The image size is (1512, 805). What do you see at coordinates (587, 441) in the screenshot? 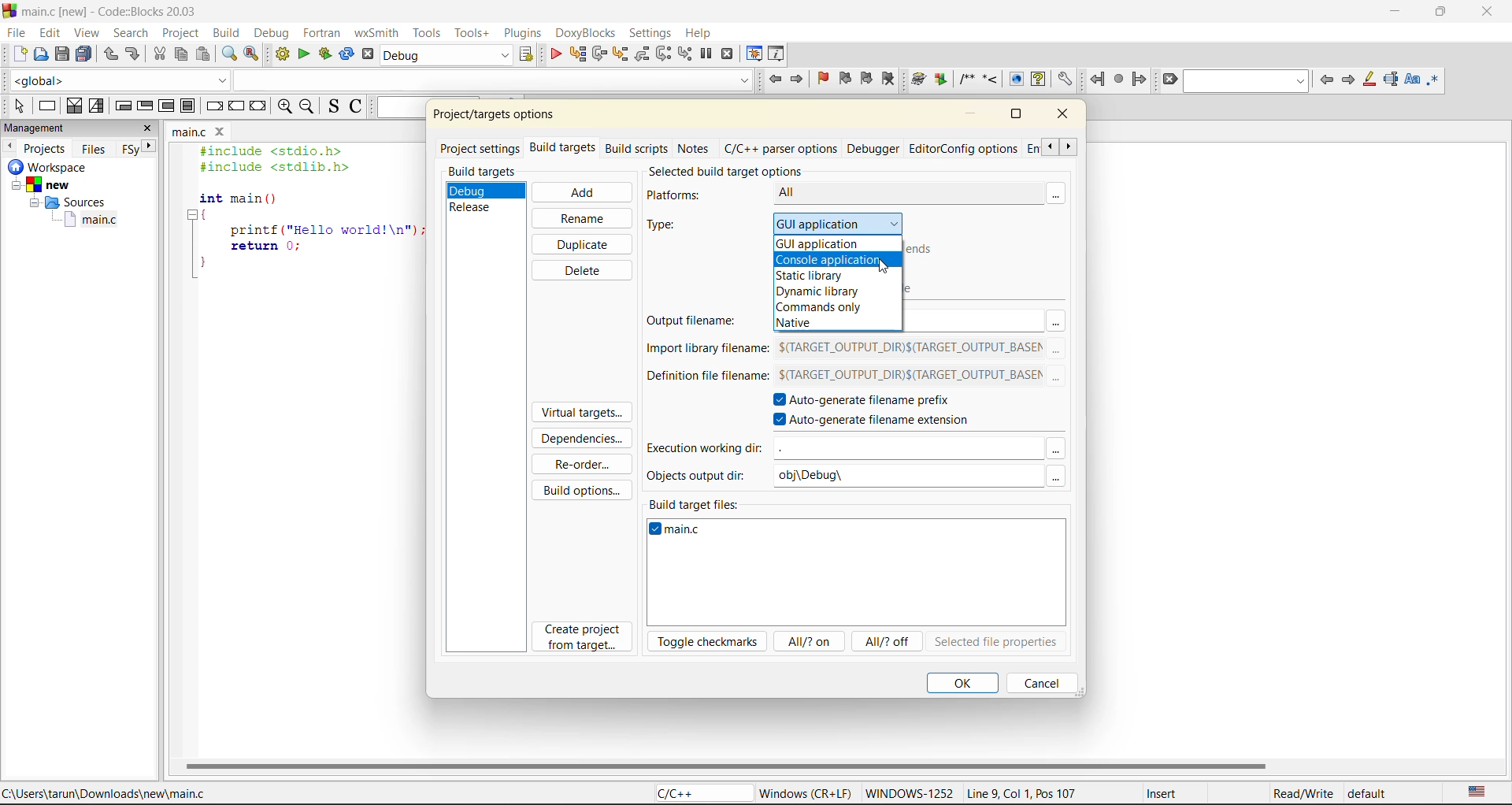
I see `dependencies` at bounding box center [587, 441].